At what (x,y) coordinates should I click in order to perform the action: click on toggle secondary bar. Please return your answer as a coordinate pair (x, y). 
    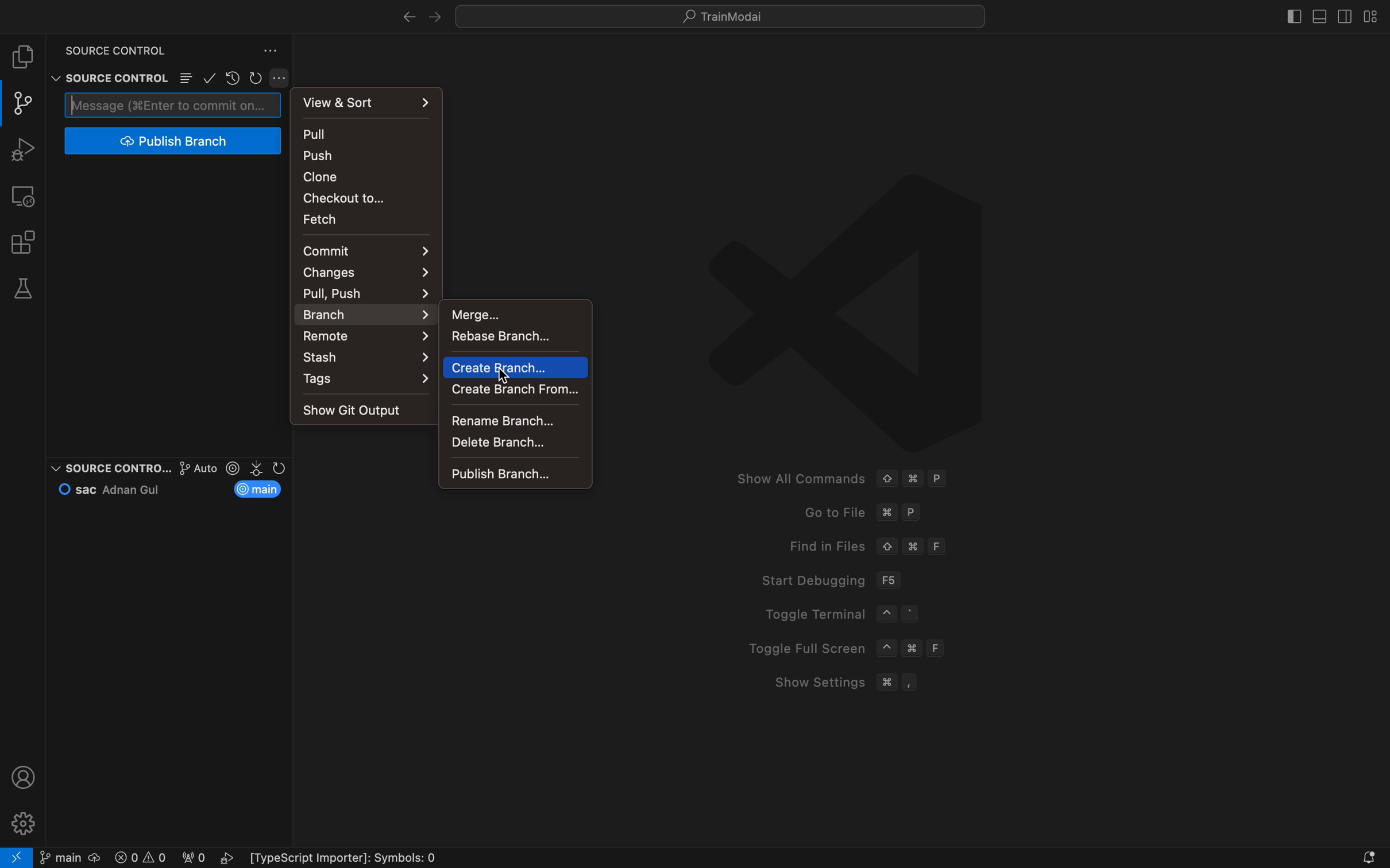
    Looking at the image, I should click on (1343, 15).